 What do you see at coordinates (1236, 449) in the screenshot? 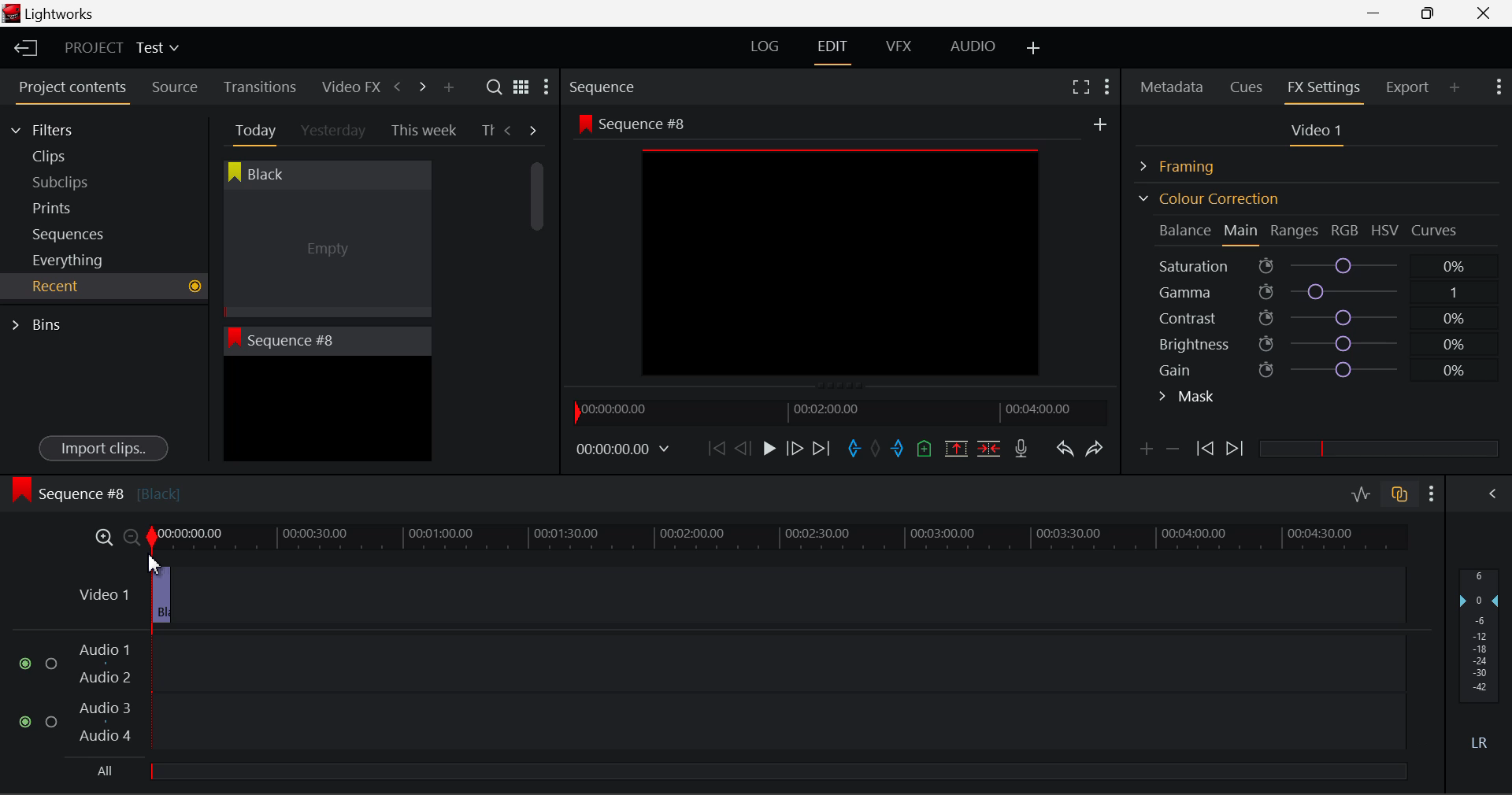
I see `Next keyframe` at bounding box center [1236, 449].